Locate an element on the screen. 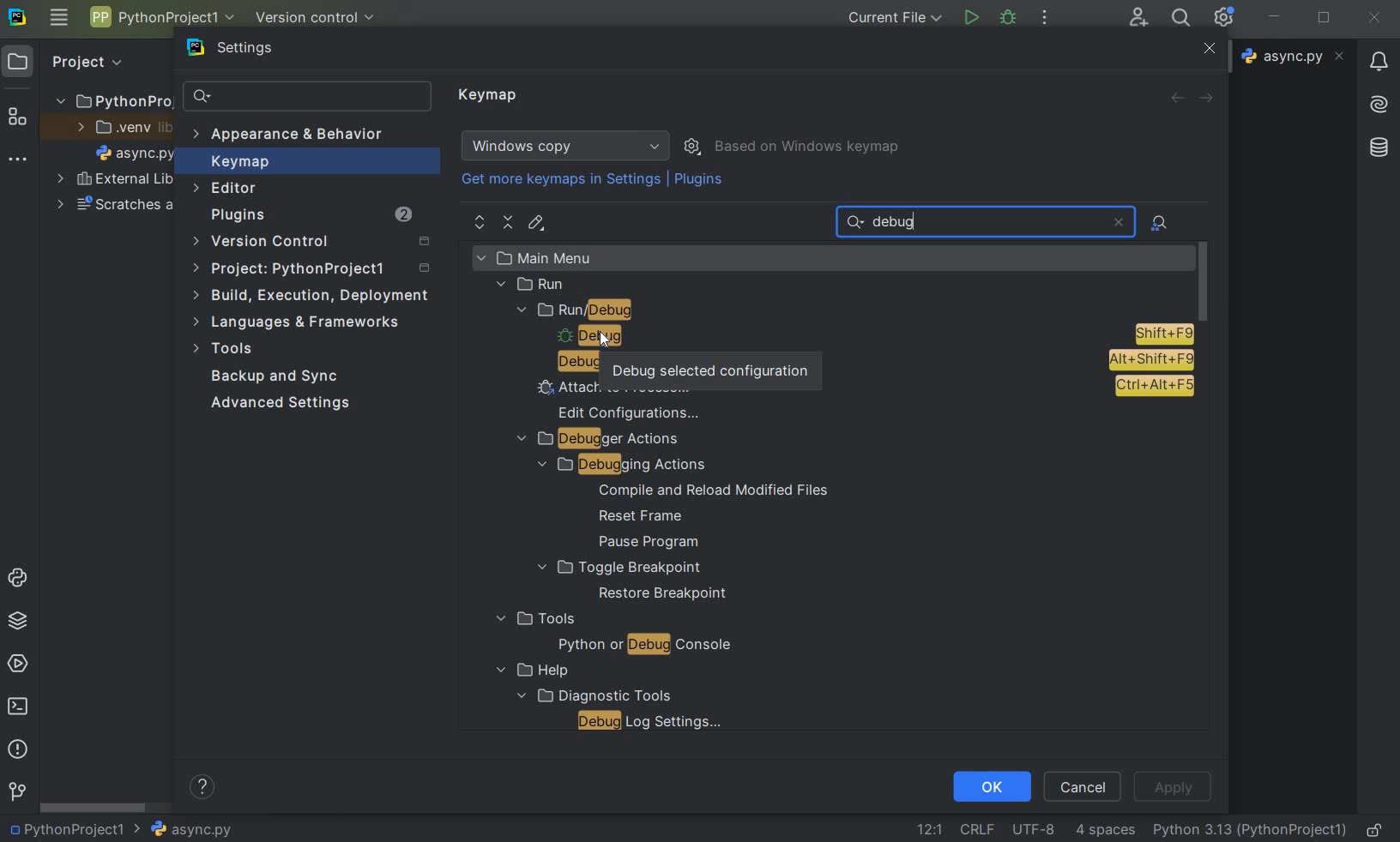  search settings is located at coordinates (308, 97).